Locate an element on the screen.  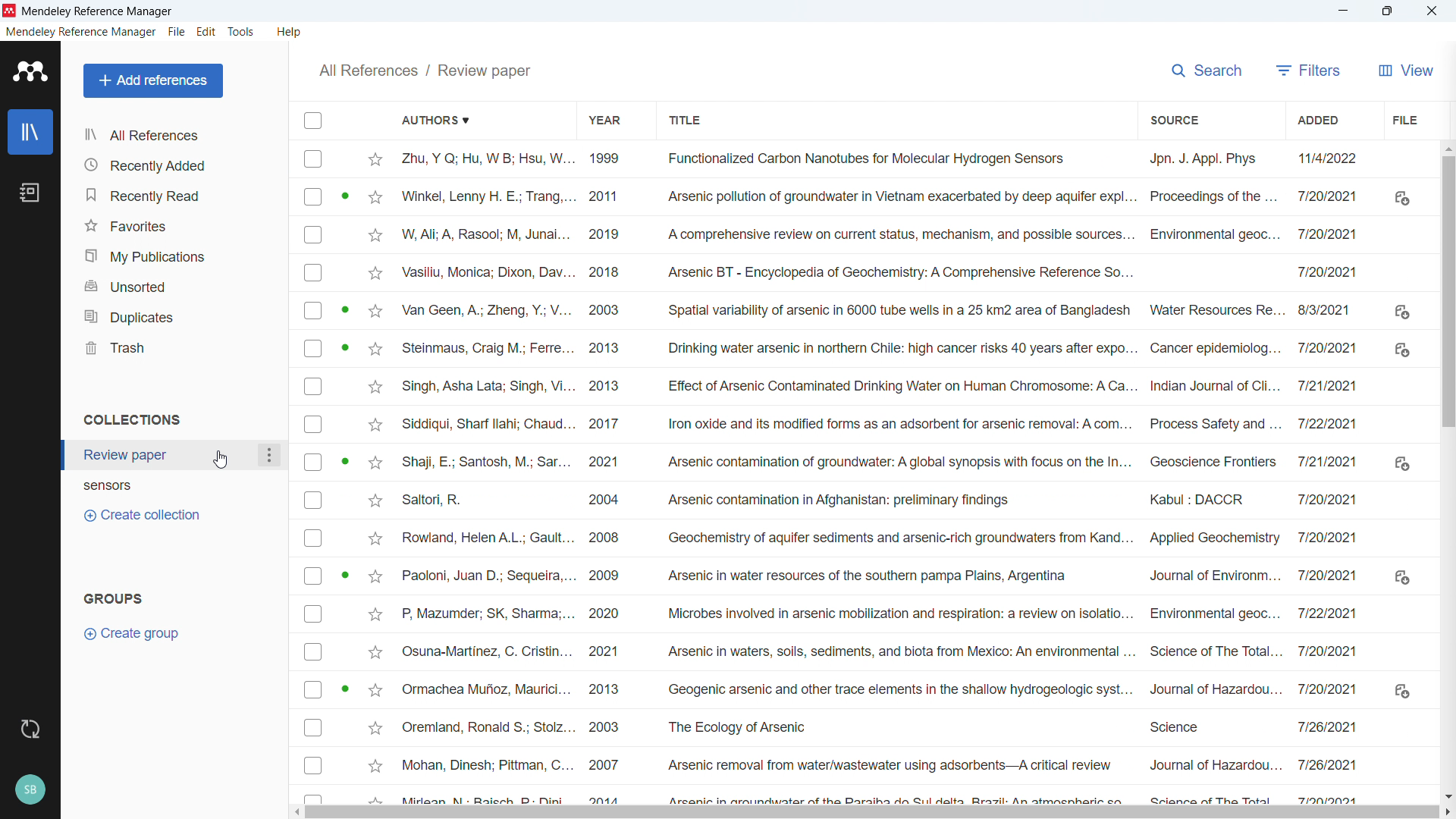
Select individual entries  is located at coordinates (315, 472).